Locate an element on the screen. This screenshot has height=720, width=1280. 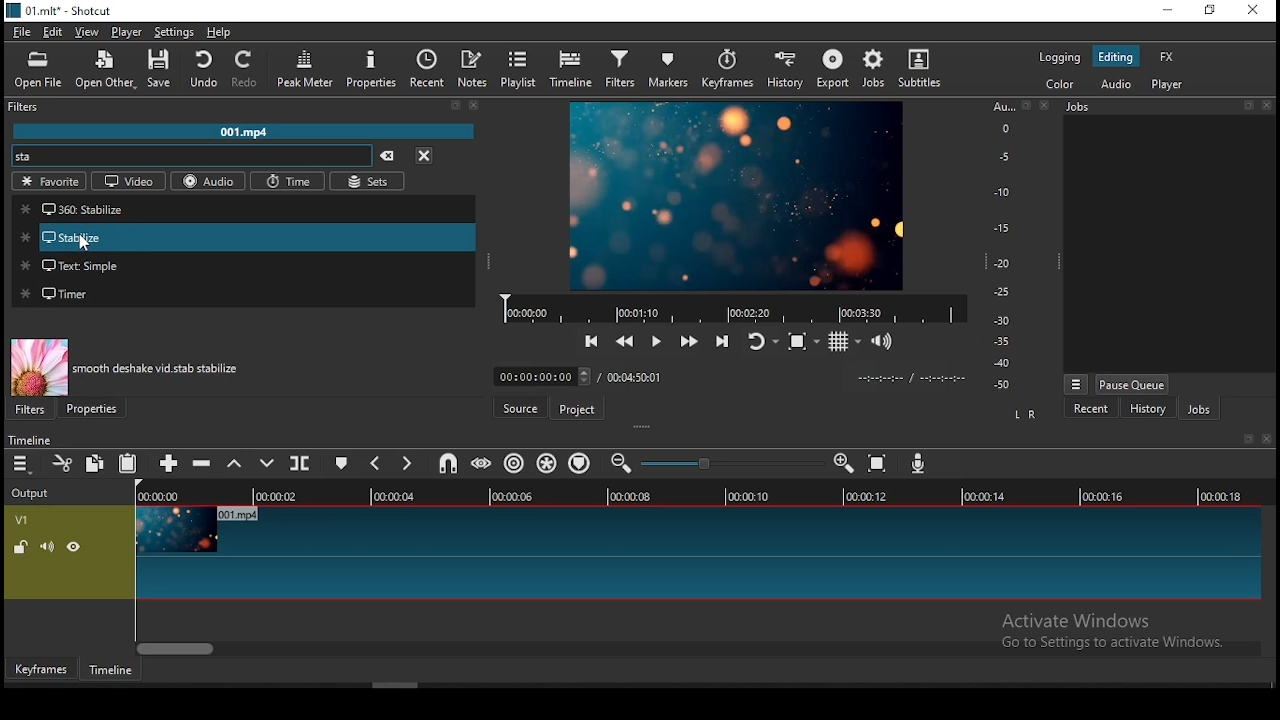
slider is located at coordinates (729, 465).